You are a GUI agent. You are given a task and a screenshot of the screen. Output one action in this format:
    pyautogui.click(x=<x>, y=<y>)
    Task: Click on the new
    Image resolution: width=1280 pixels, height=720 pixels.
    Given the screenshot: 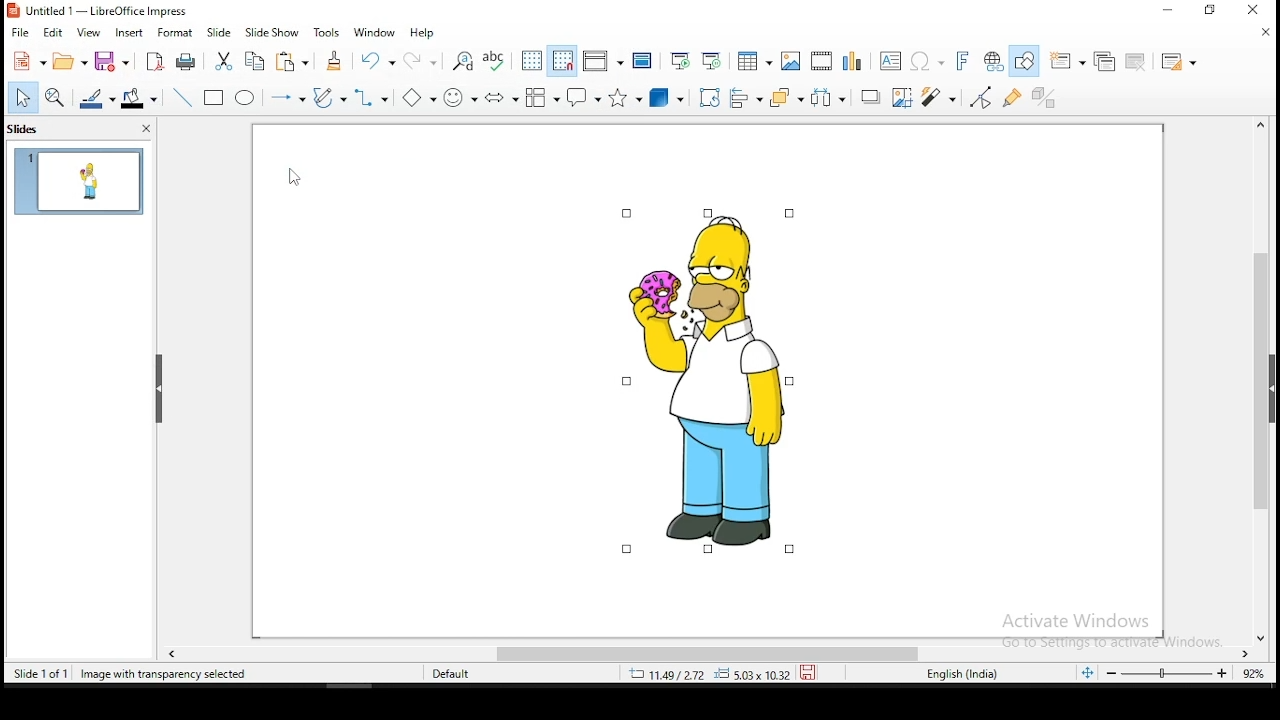 What is the action you would take?
    pyautogui.click(x=28, y=60)
    